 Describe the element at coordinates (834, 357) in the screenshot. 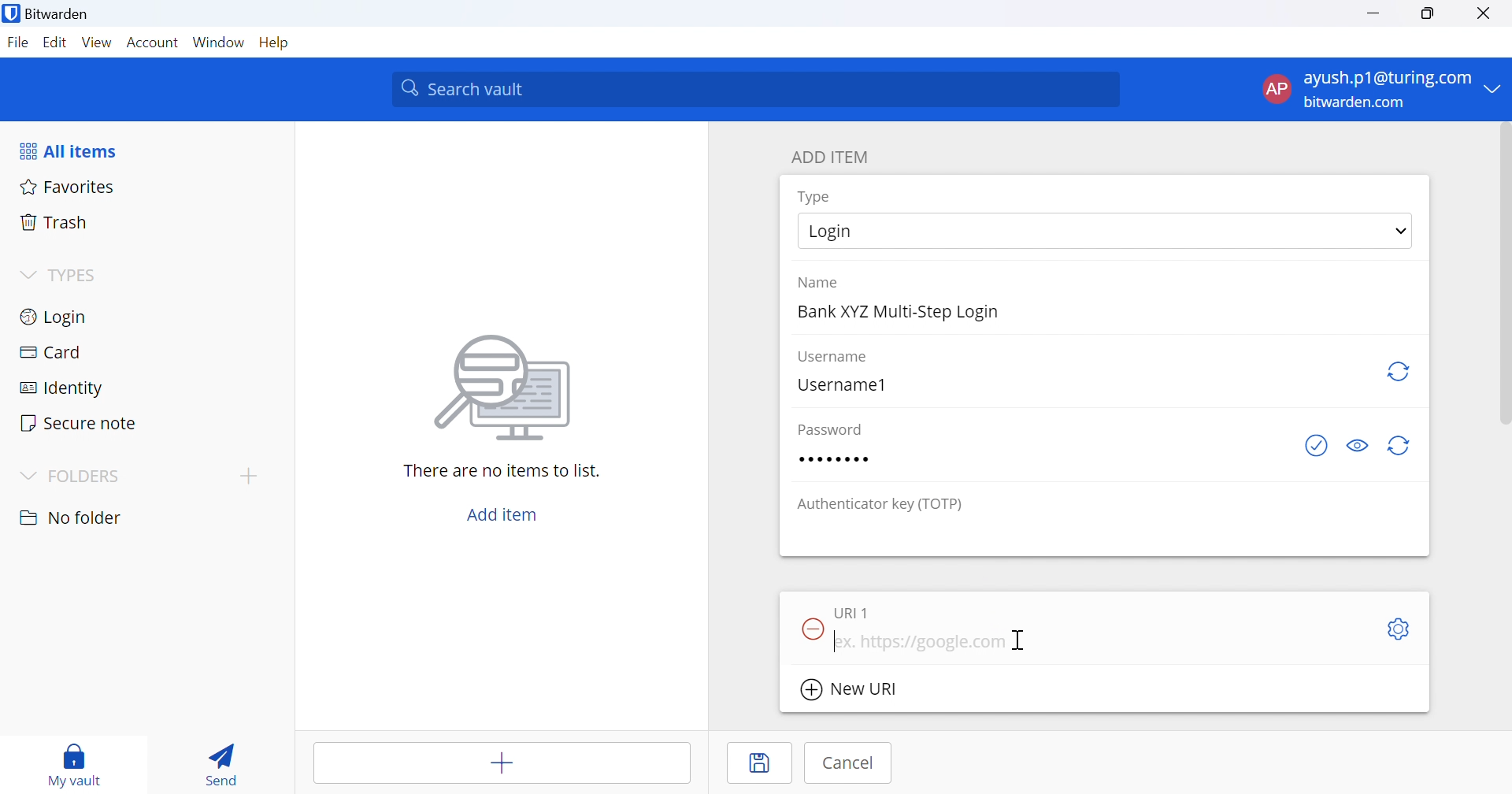

I see `Username` at that location.